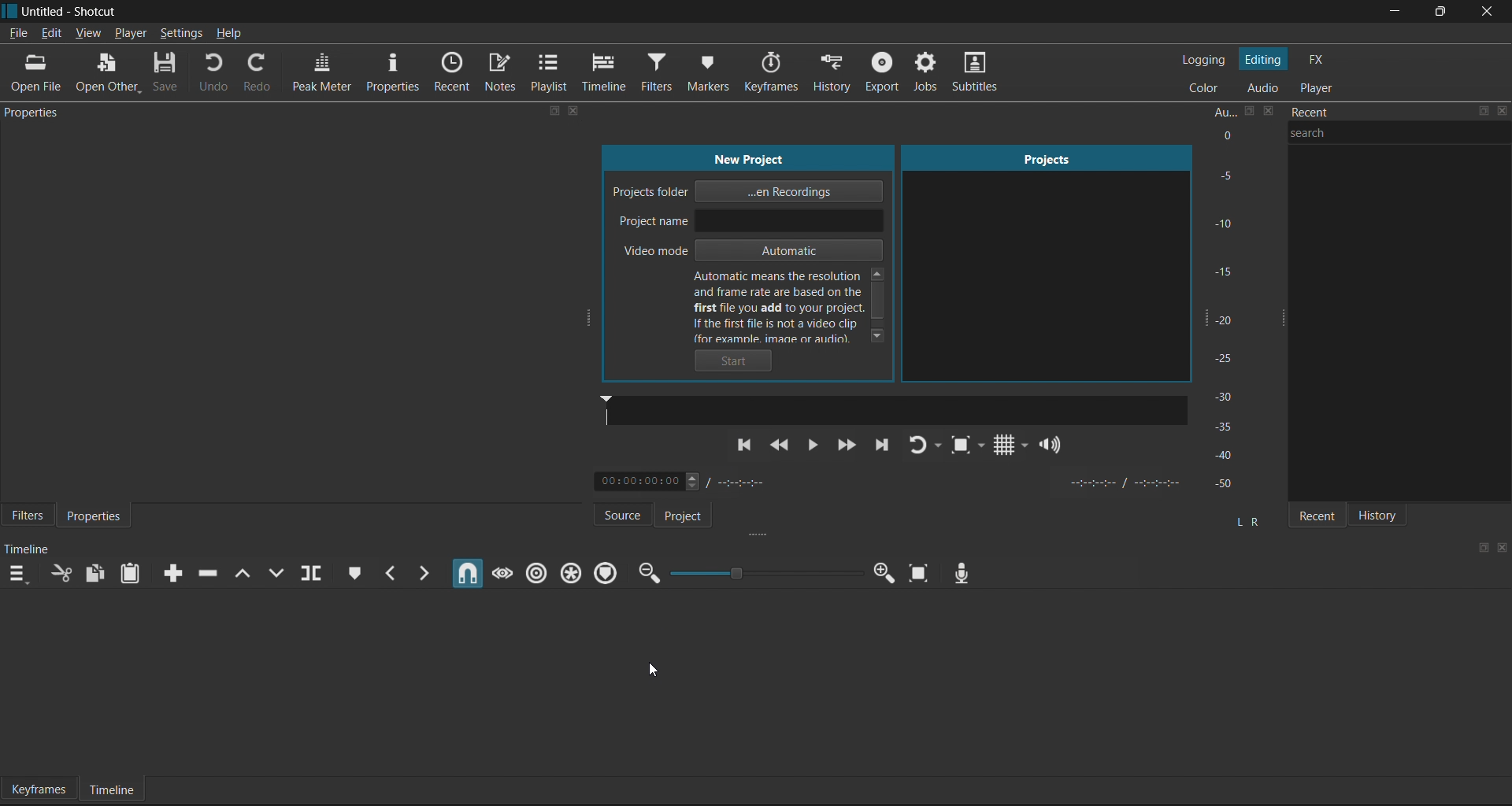 The image size is (1512, 806). I want to click on Volume Control, so click(1053, 446).